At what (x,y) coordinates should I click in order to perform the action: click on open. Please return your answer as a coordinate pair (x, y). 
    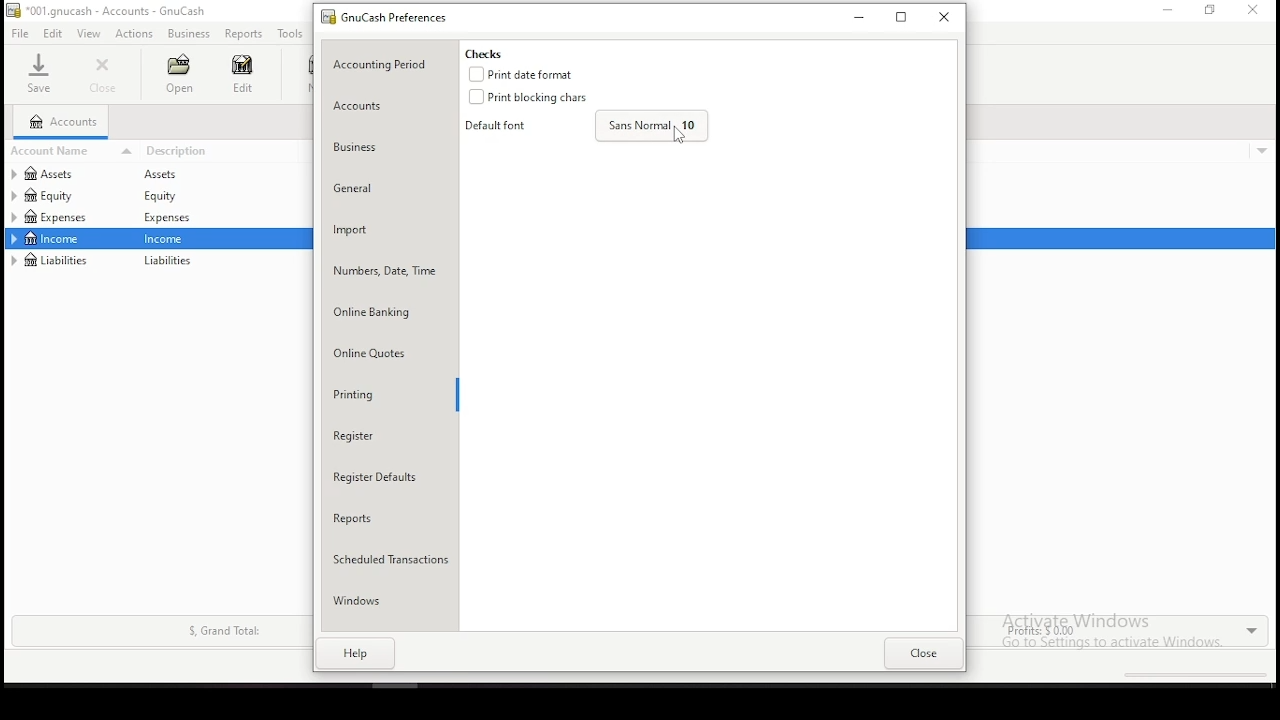
    Looking at the image, I should click on (178, 74).